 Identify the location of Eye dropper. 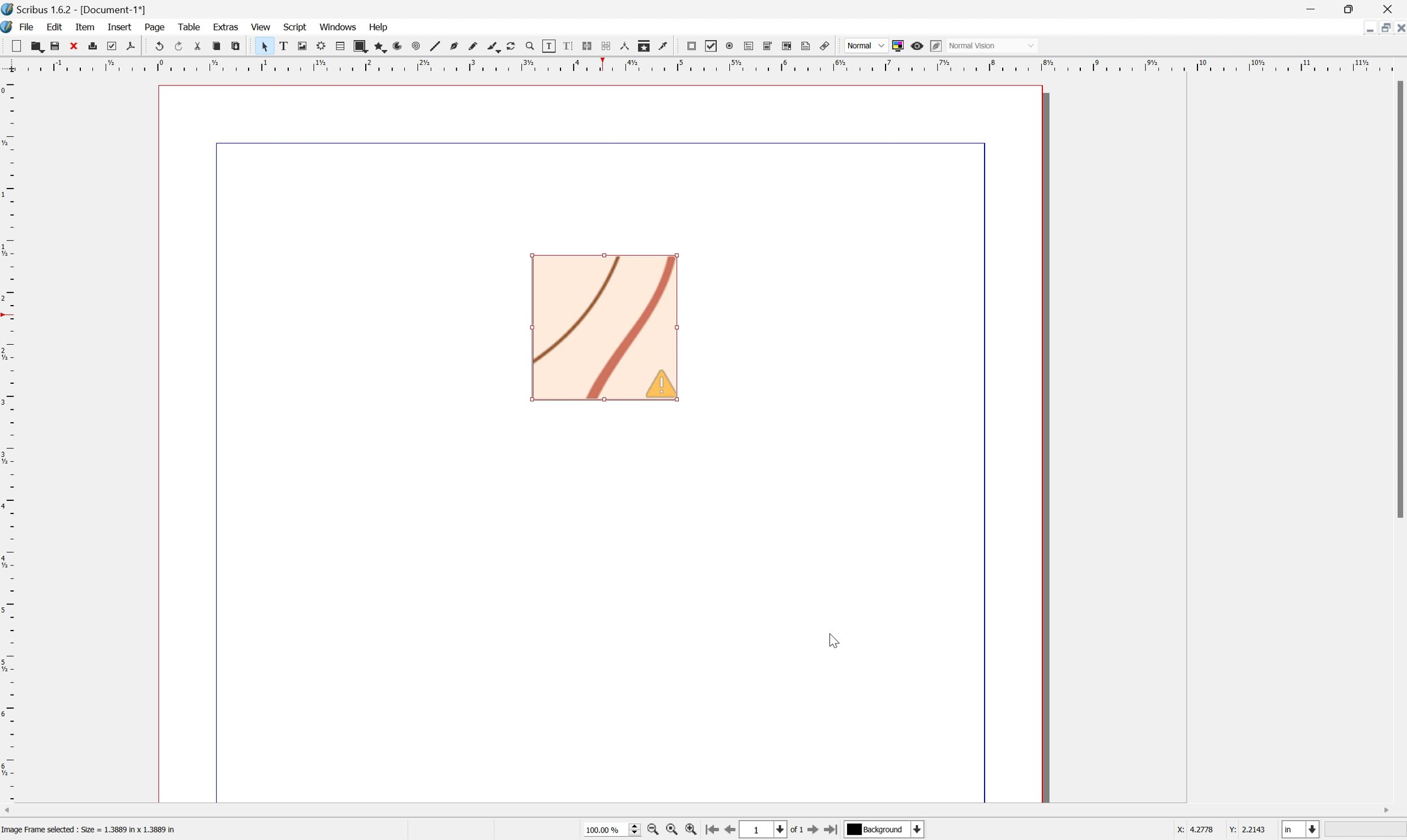
(667, 48).